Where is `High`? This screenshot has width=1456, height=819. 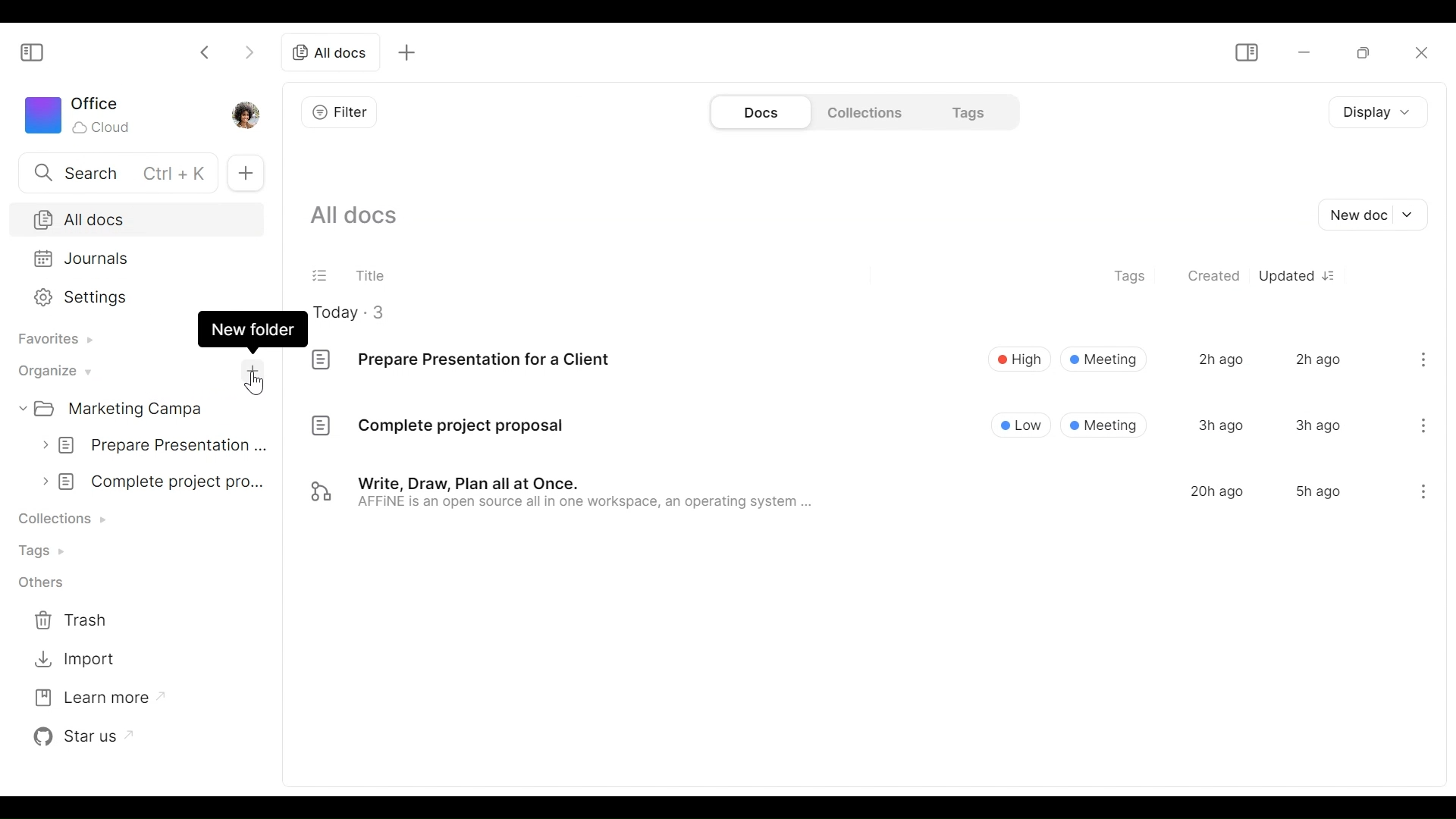
High is located at coordinates (1018, 358).